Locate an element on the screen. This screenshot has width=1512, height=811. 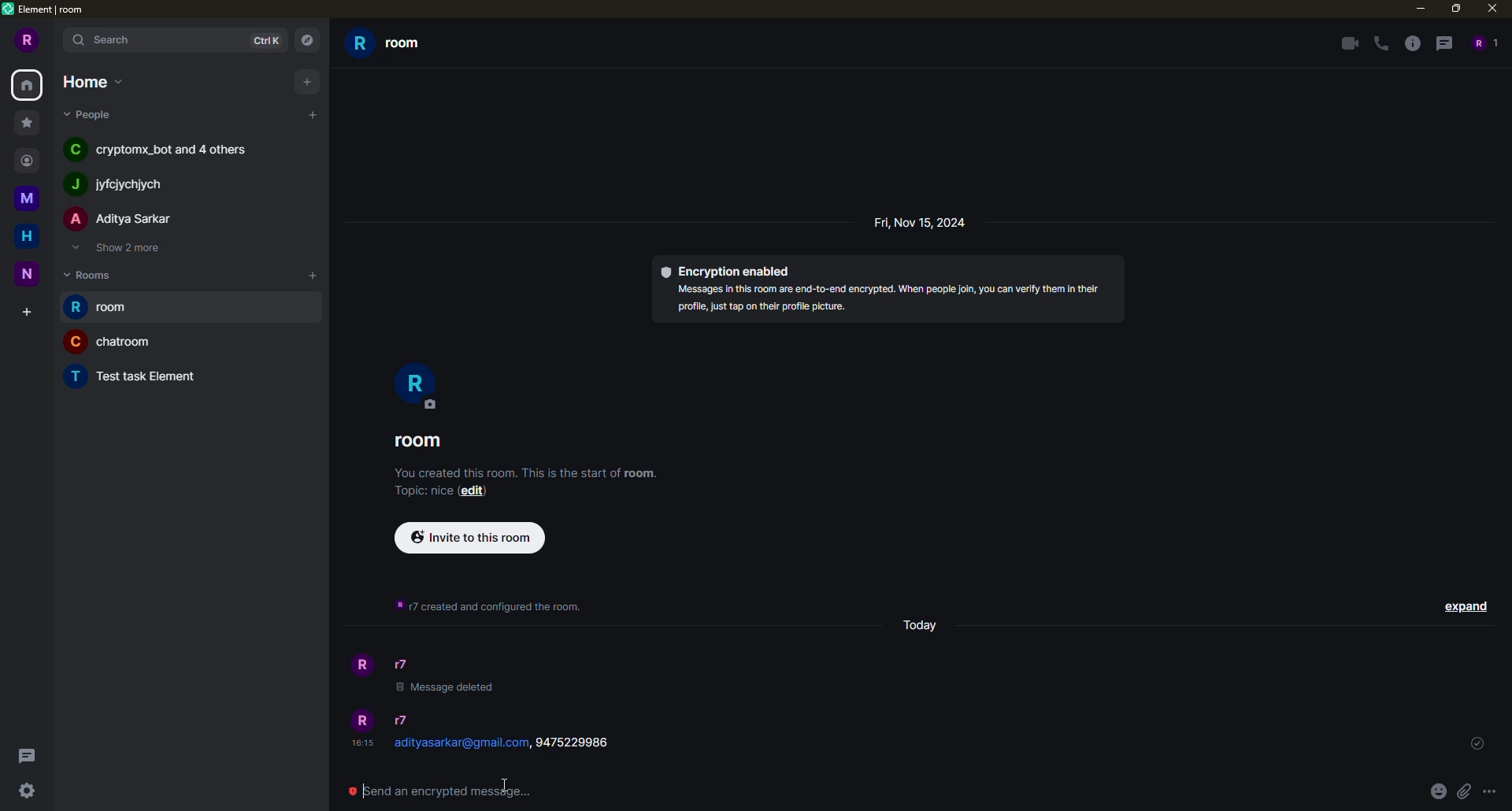
edit is located at coordinates (475, 492).